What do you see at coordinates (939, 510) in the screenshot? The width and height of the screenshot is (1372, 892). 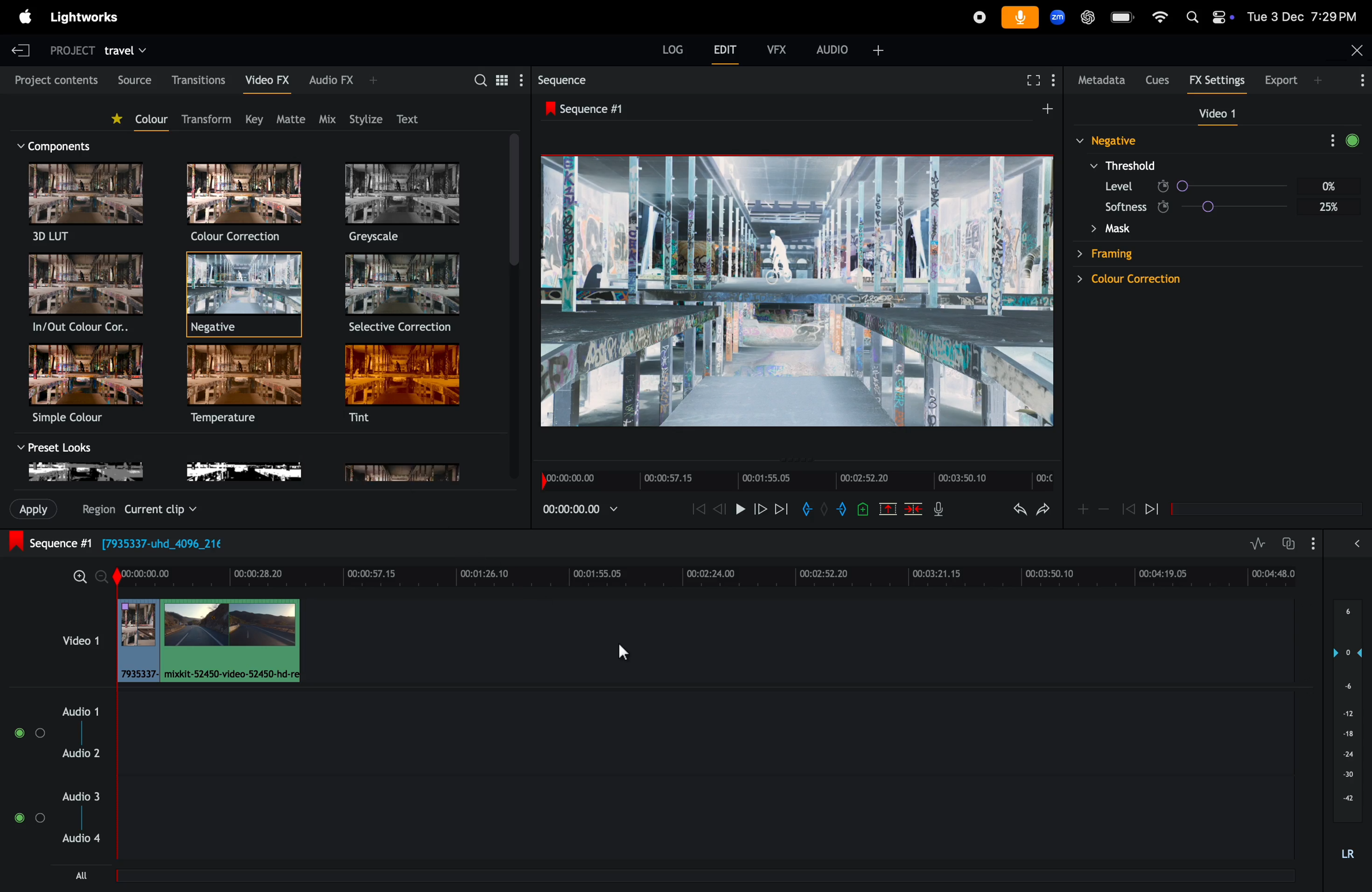 I see `mic` at bounding box center [939, 510].